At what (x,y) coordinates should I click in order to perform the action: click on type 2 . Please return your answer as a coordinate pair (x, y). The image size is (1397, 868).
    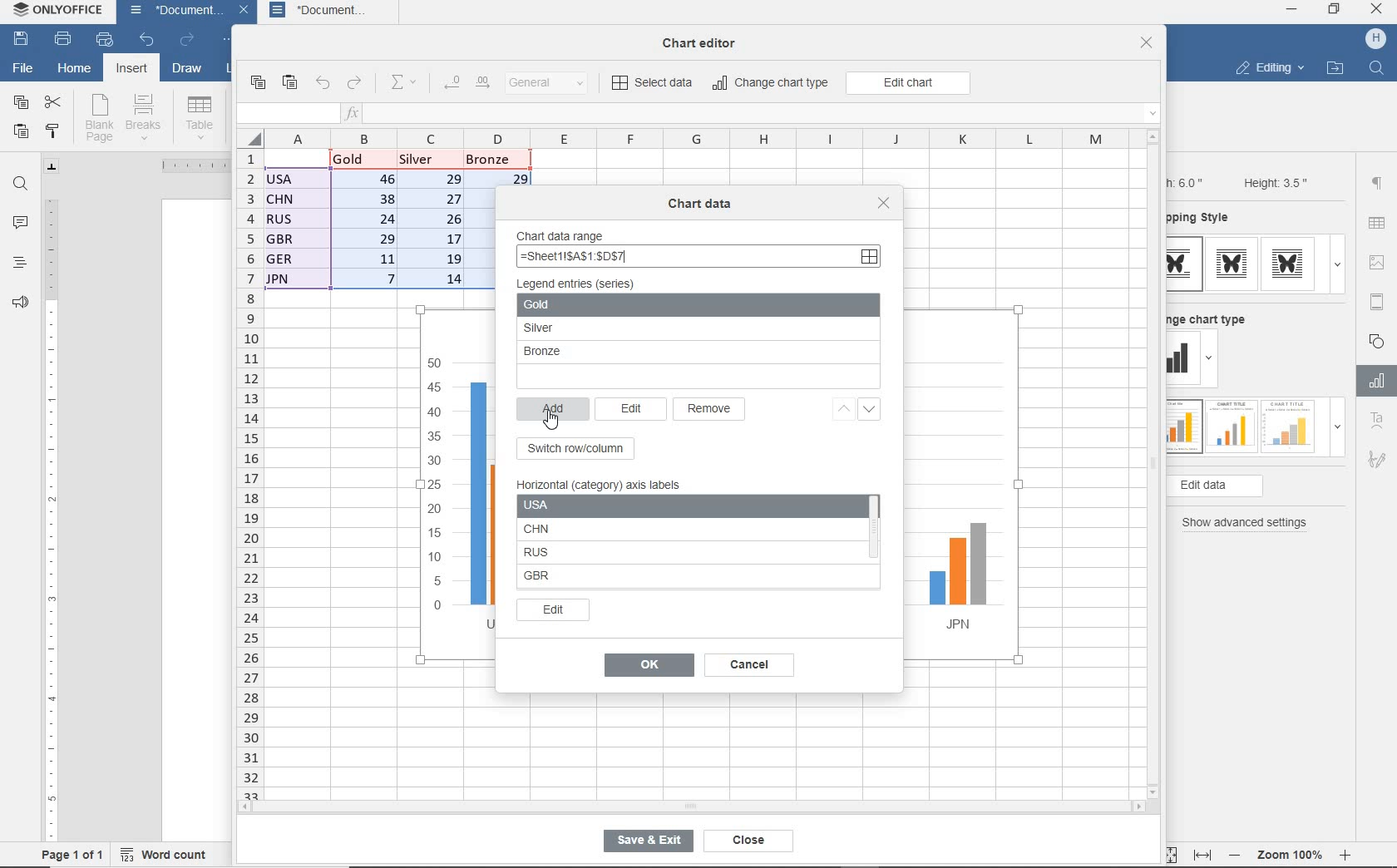
    Looking at the image, I should click on (1229, 425).